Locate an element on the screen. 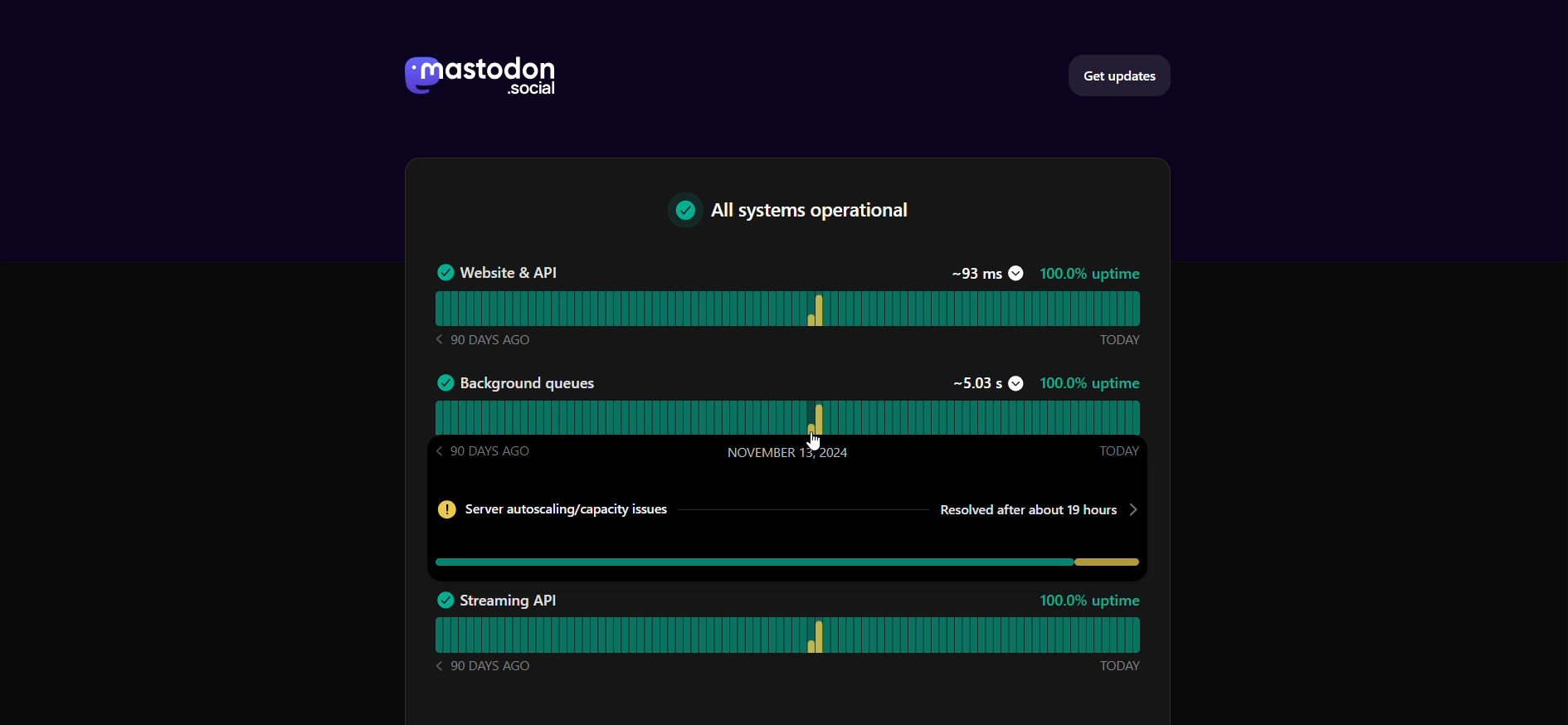 This screenshot has width=1568, height=725. Streaming API is located at coordinates (496, 601).